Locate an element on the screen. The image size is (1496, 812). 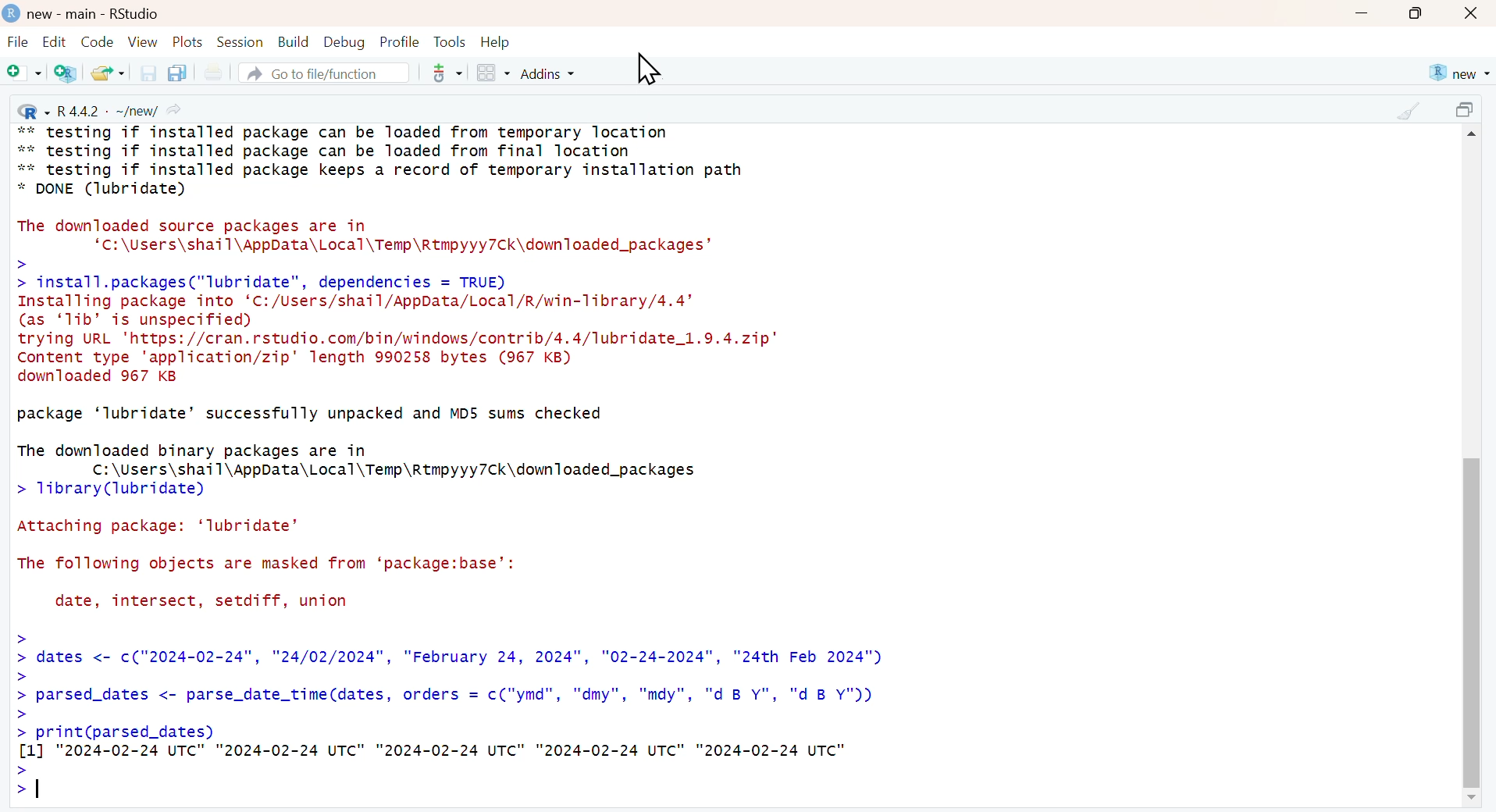
The downloaded source packages are in
‘c:\Users\shail\AppData\Local\Temp\Rtmpyyy7Ck\downloaded_packages’

>

> install.packages("lubridate", dependencies = TRUE)

Installing package into ‘C:/Users/shail/AppData/Local/R/win-Tlibrary/4.4’

(as ‘1ib’ is unspecified)

trying URL 'https://cran.rstudio.com/bin/windows/contrib/4.4/lubridate_1.9.4.zip"

Content type 'application/zip' length 990258 bytes (967 KB)

downloaded 967 KB is located at coordinates (406, 302).